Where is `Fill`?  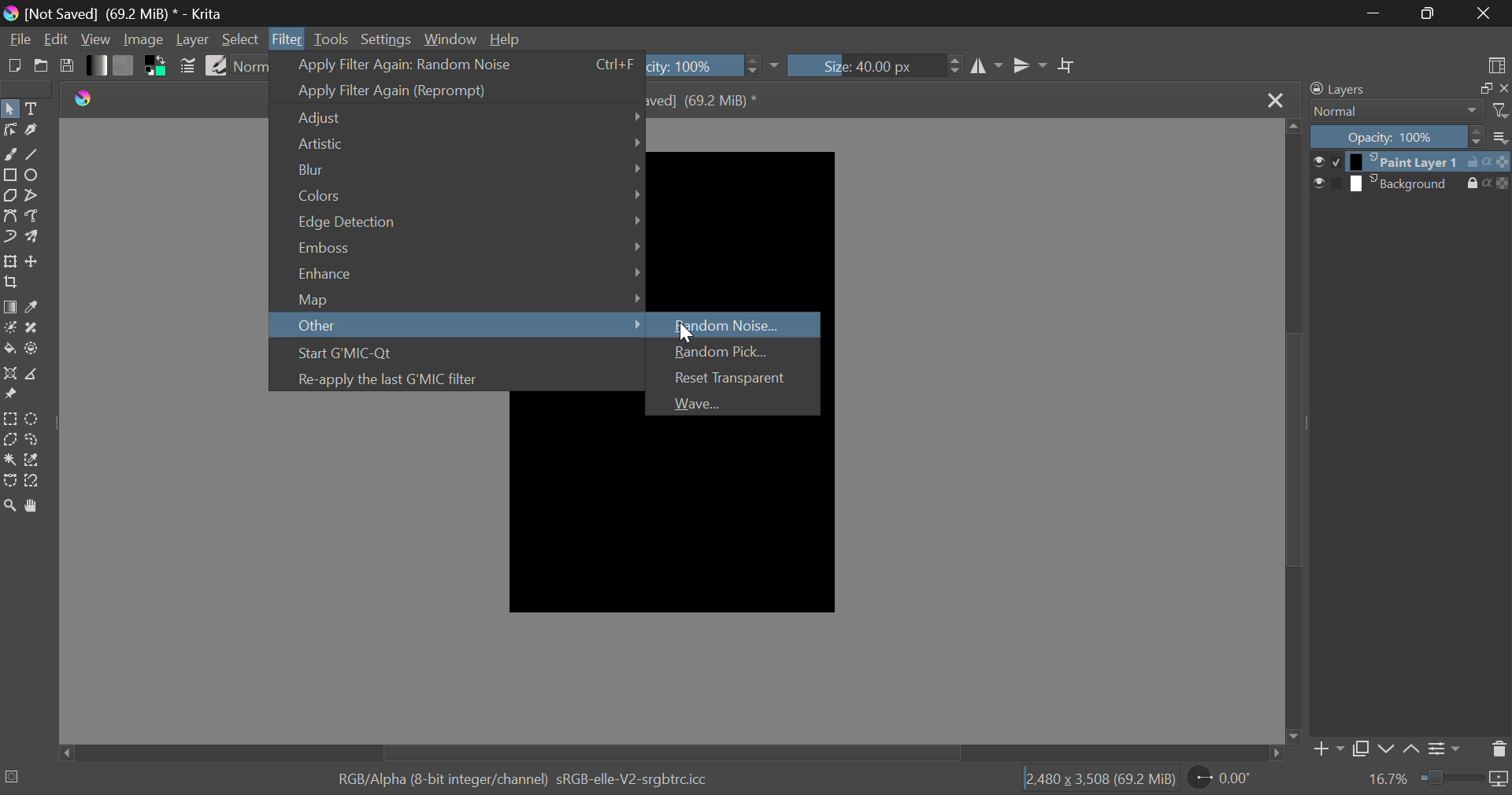 Fill is located at coordinates (9, 348).